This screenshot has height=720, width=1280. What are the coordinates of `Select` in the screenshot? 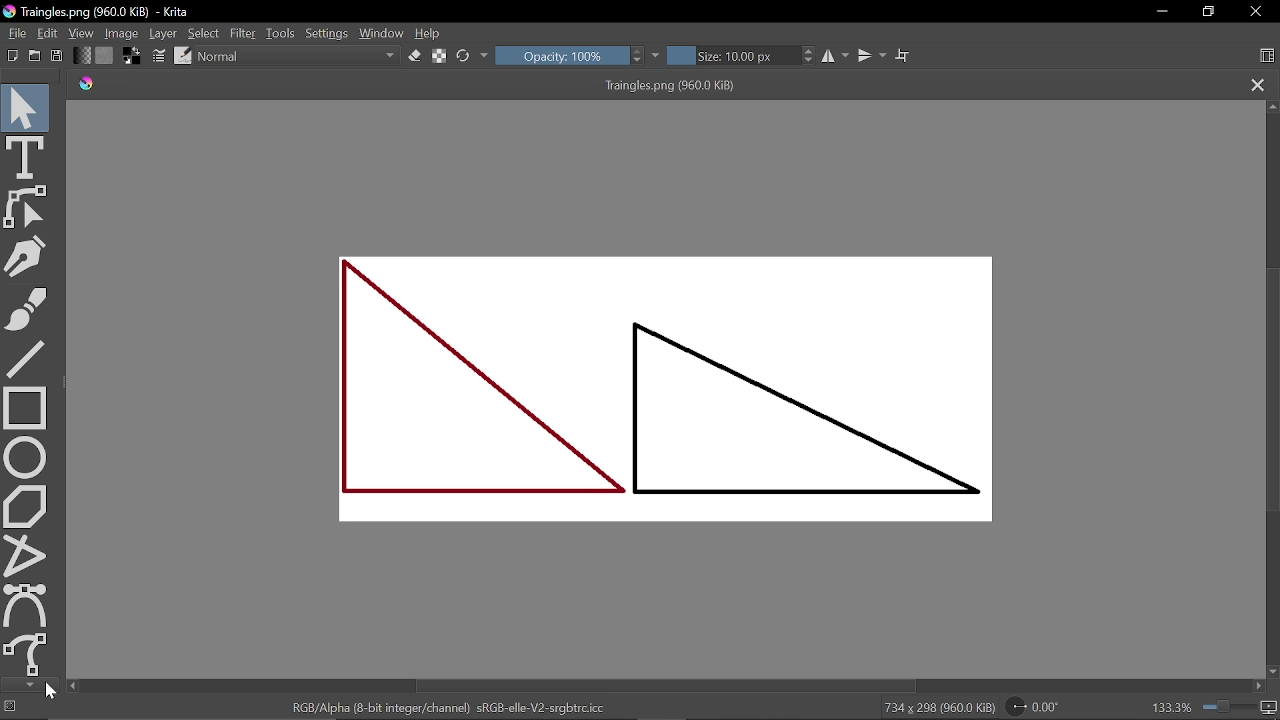 It's located at (203, 34).